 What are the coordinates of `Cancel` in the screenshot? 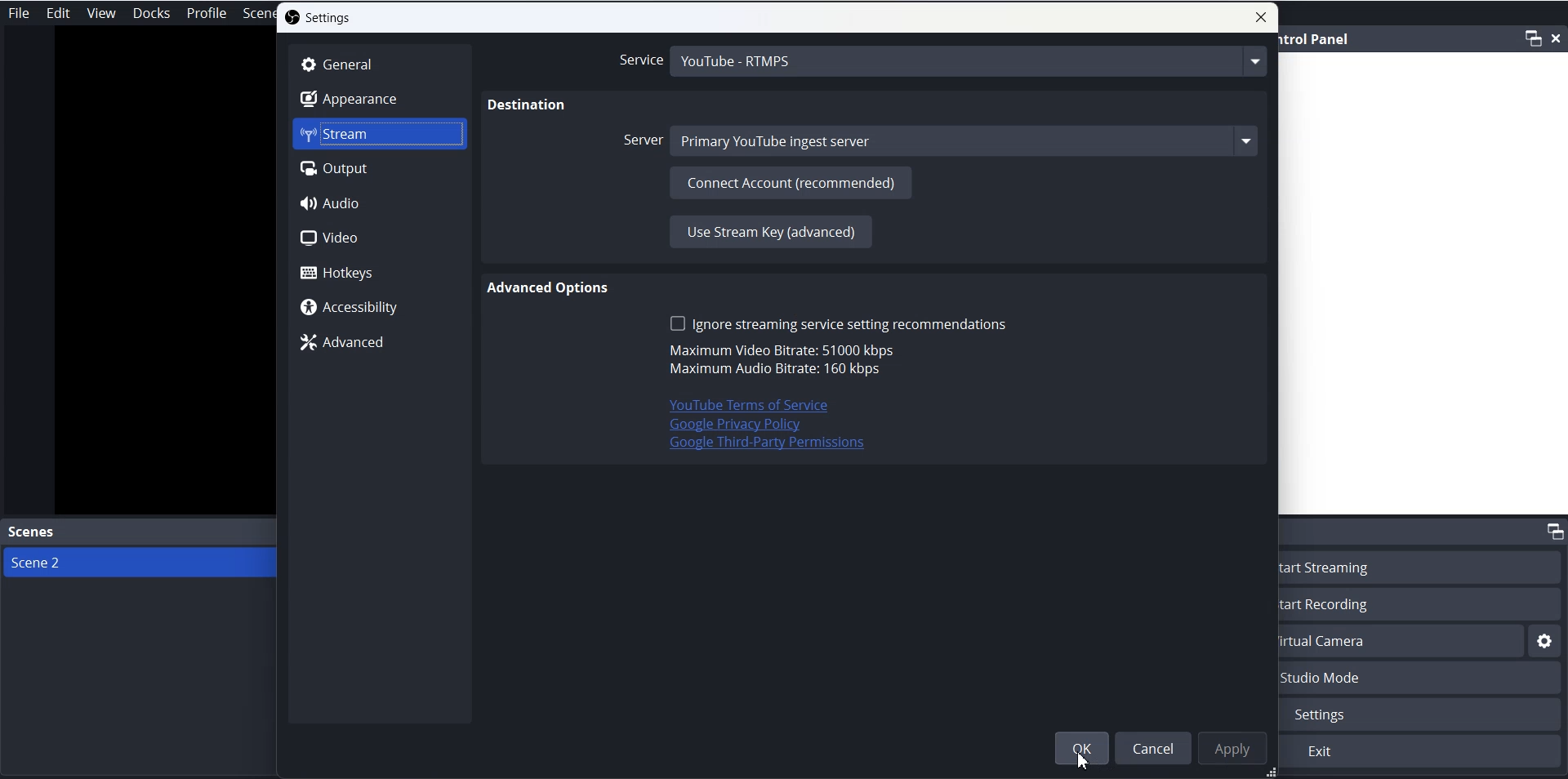 It's located at (1151, 747).